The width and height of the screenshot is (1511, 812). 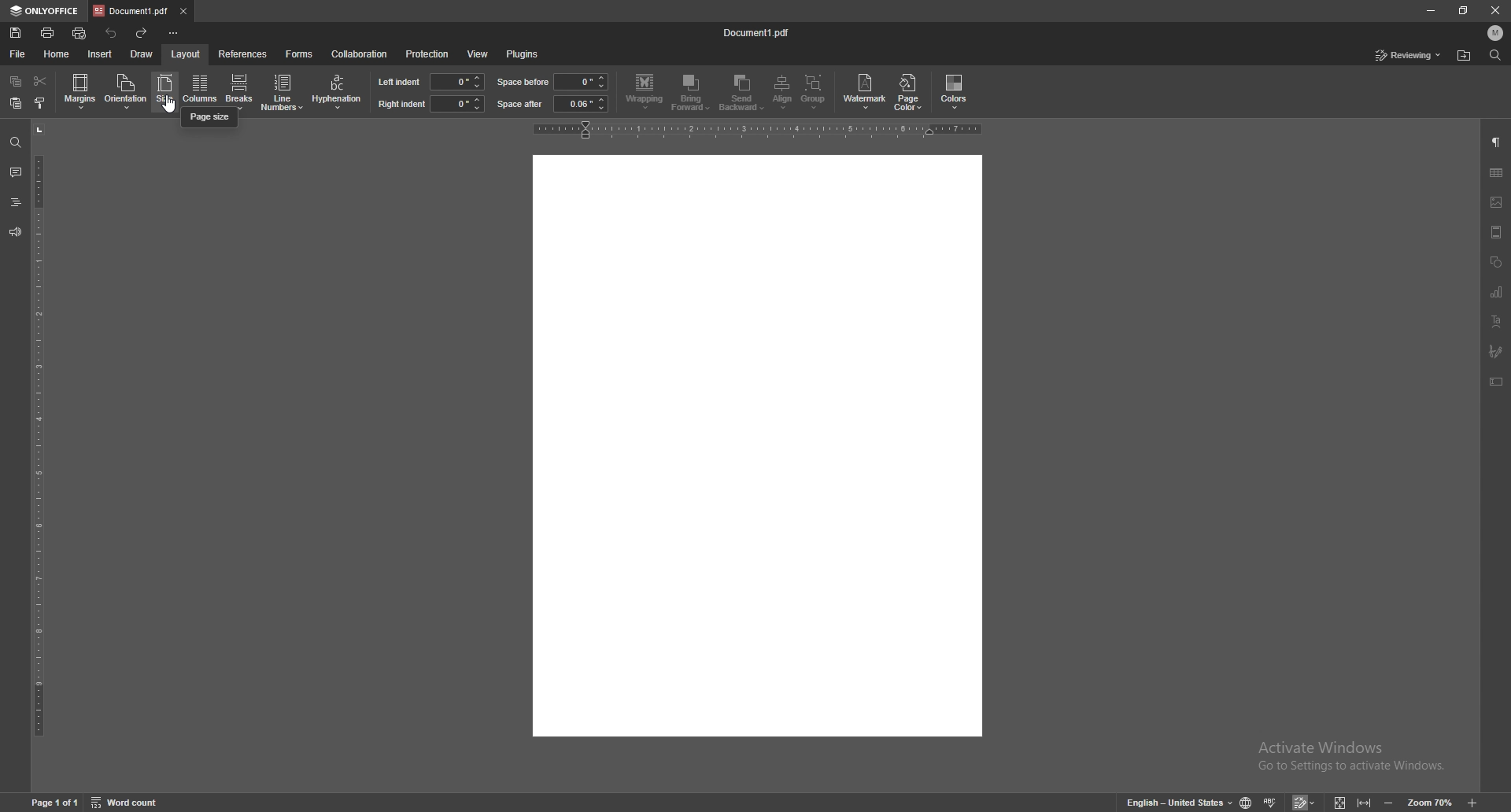 I want to click on watermark, so click(x=866, y=90).